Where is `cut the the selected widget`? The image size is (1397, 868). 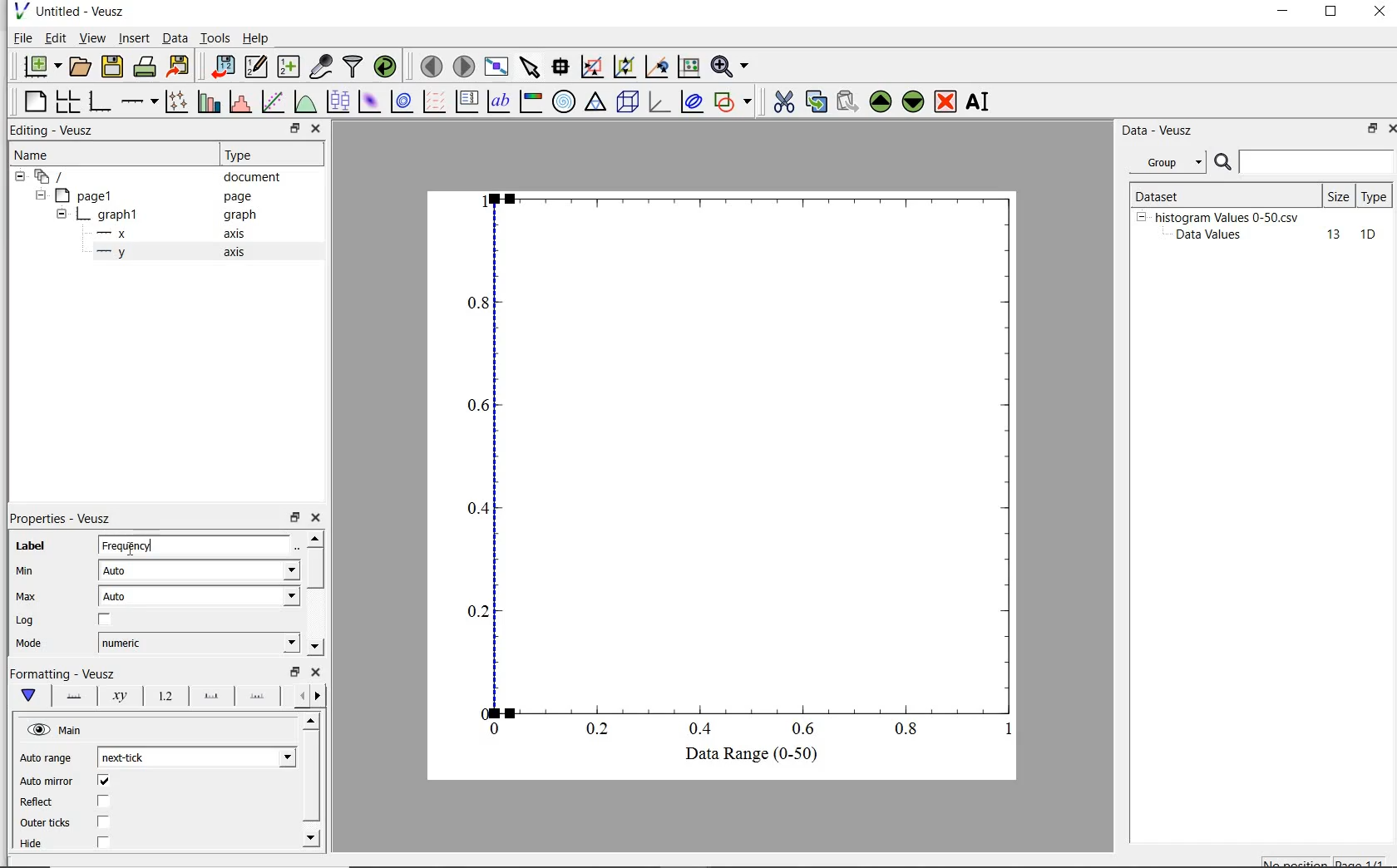
cut the the selected widget is located at coordinates (782, 104).